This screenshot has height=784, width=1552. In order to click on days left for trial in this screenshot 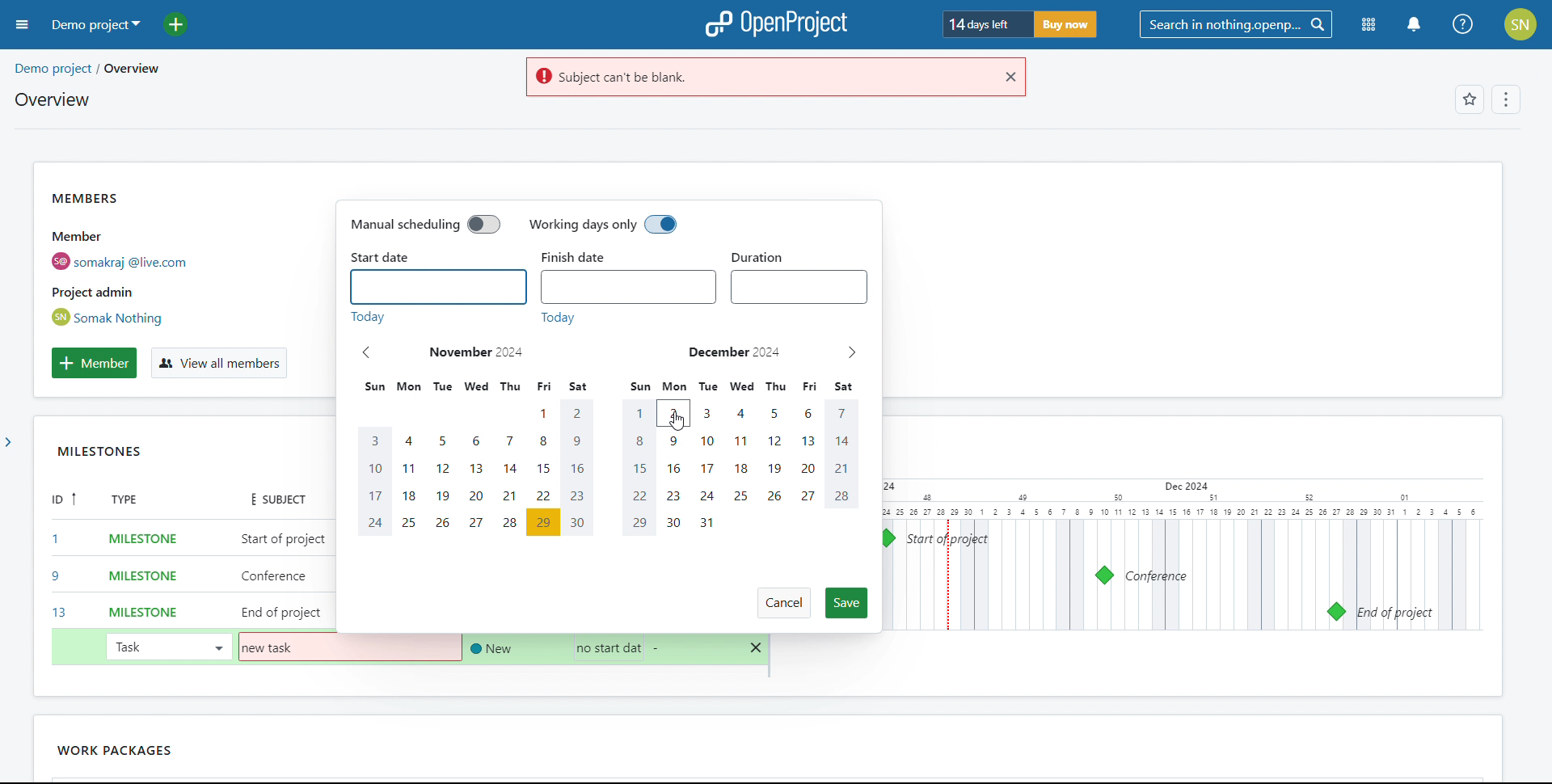, I will do `click(985, 25)`.